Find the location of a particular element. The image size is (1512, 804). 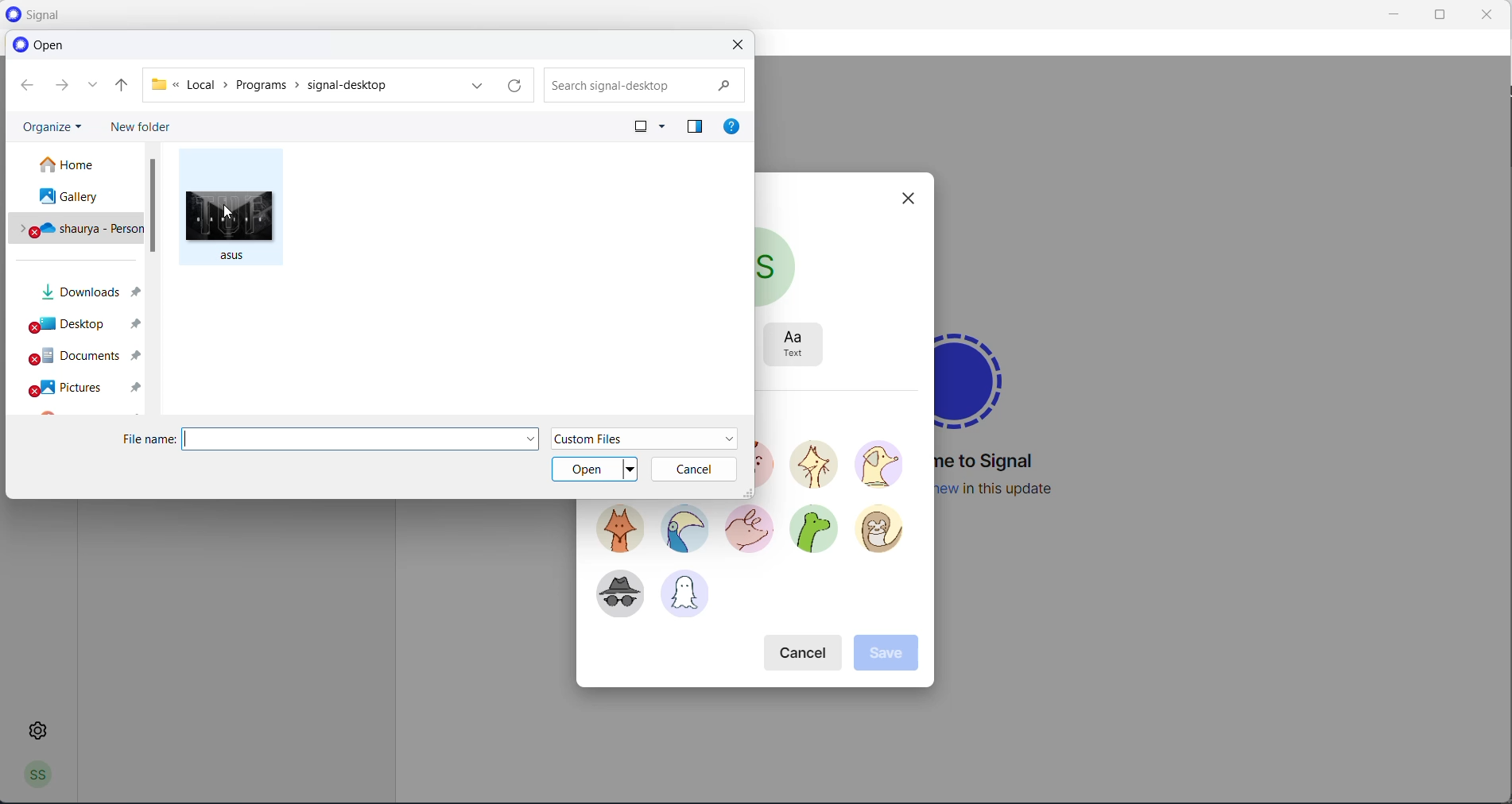

home is located at coordinates (78, 164).